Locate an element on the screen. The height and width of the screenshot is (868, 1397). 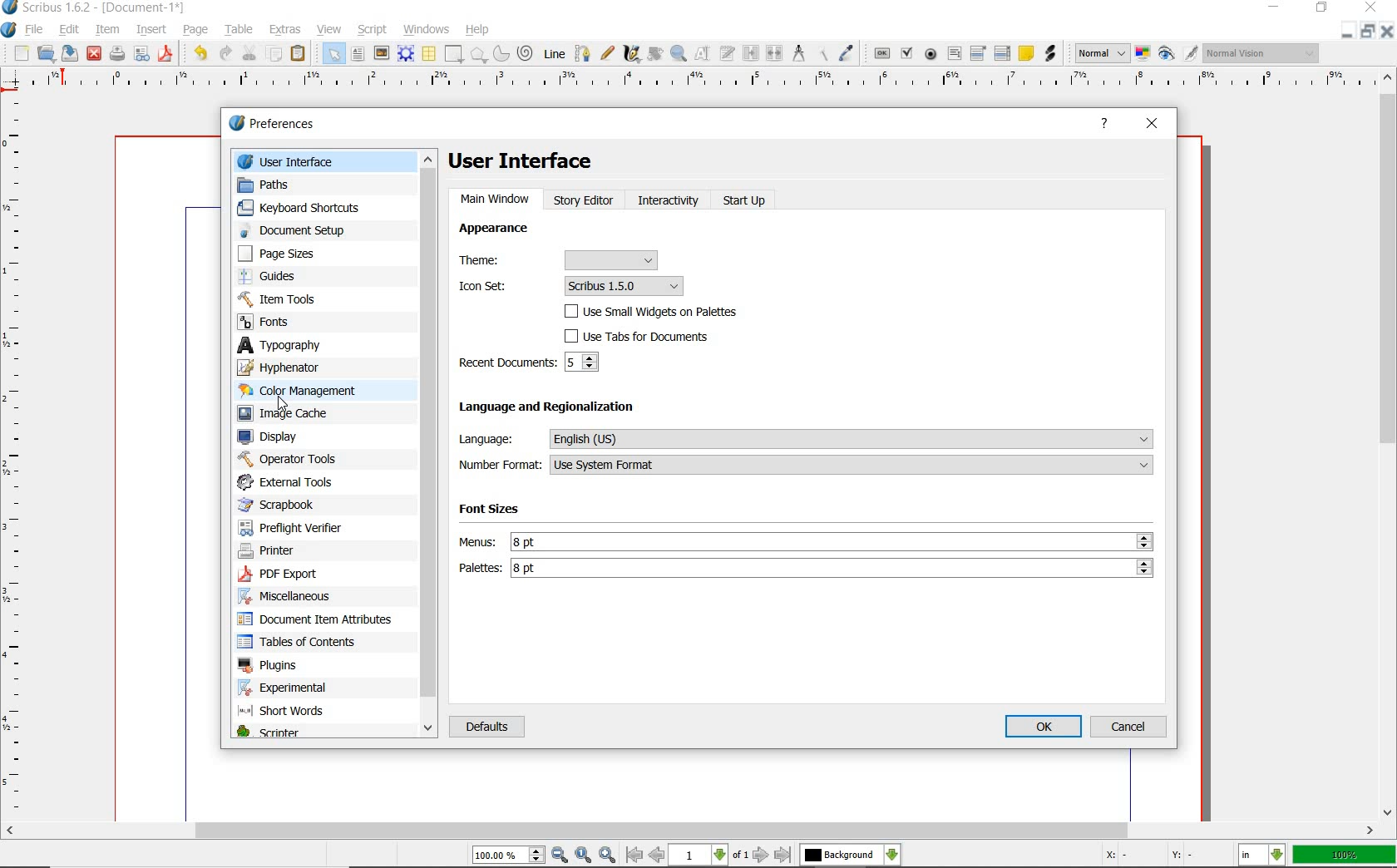
STORY EDITOR is located at coordinates (583, 199).